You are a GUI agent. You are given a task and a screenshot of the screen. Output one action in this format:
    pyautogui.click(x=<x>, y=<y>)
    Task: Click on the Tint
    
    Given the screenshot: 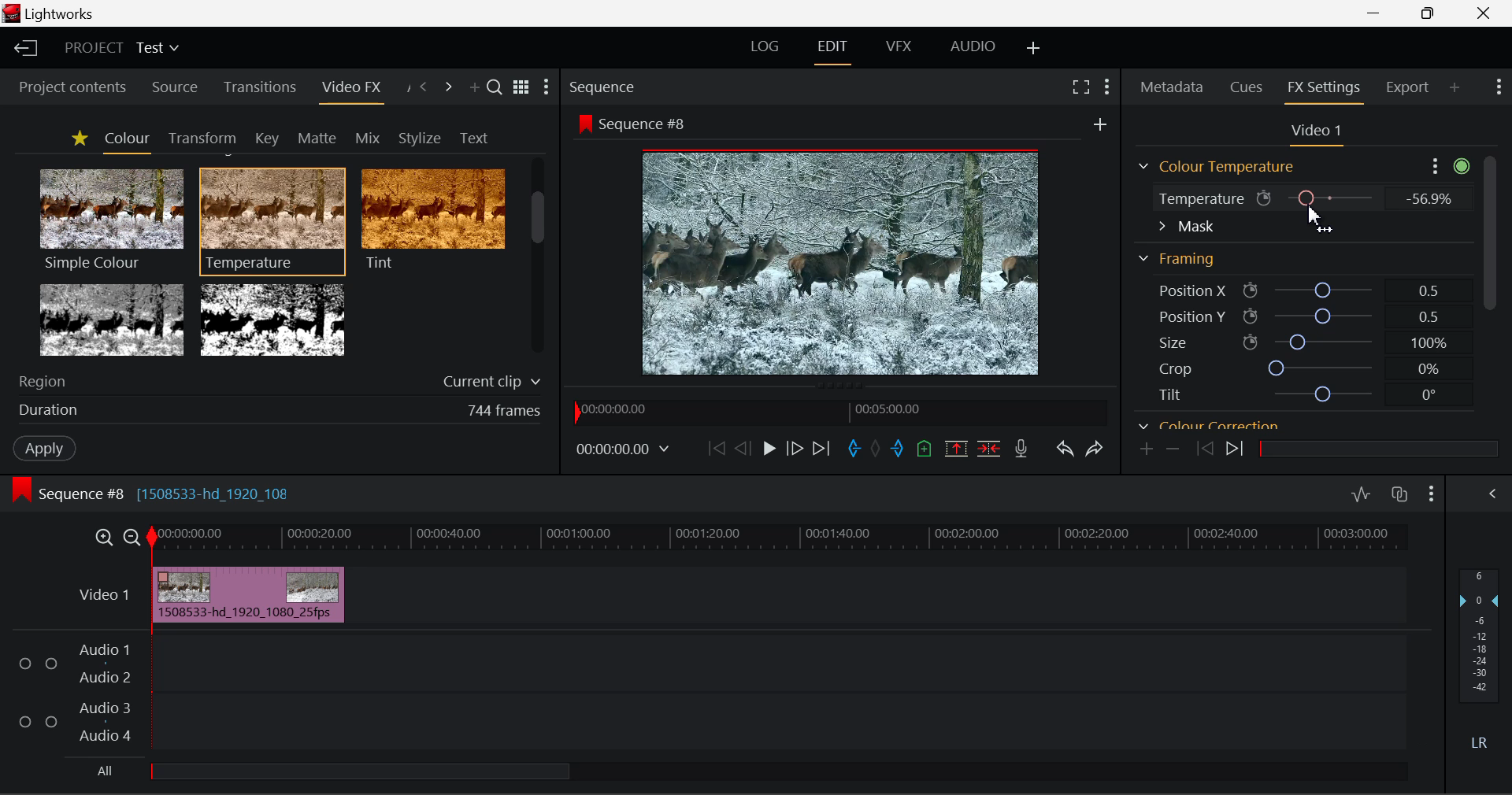 What is the action you would take?
    pyautogui.click(x=432, y=219)
    